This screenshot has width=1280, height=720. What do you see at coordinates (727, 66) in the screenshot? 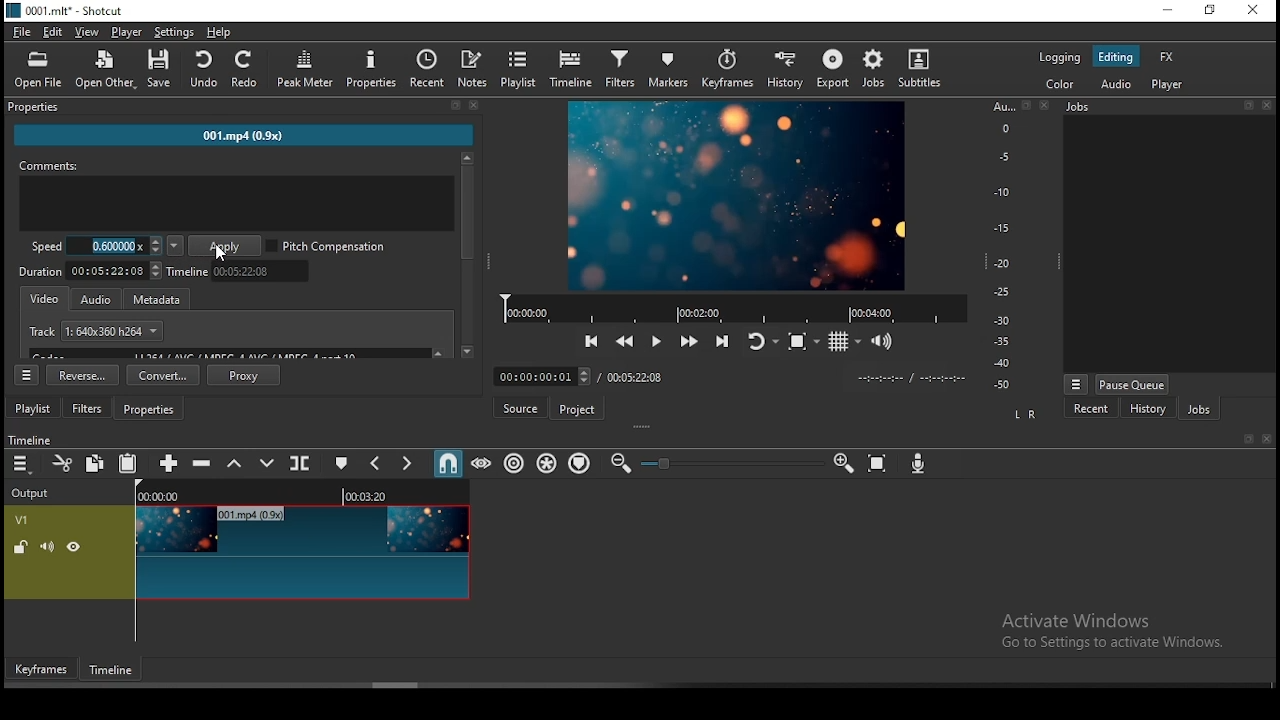
I see `keyframes` at bounding box center [727, 66].